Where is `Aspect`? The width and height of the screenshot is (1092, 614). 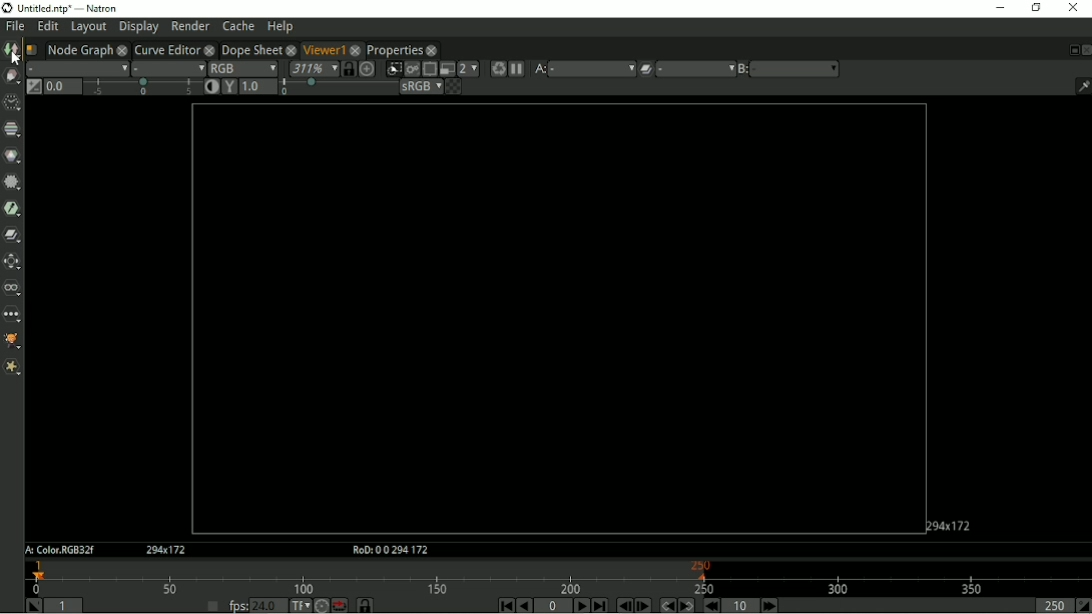
Aspect is located at coordinates (167, 550).